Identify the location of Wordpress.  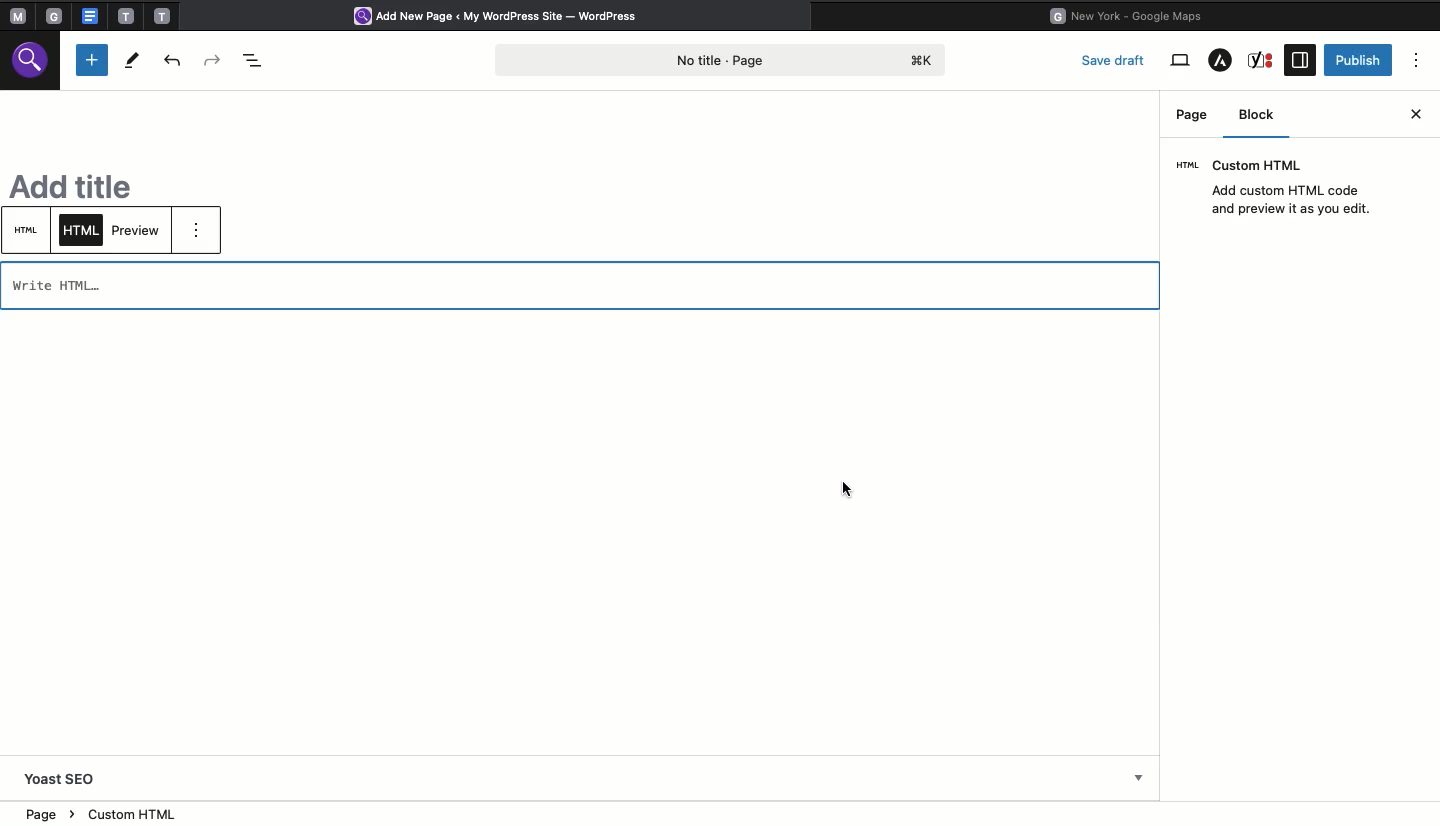
(504, 17).